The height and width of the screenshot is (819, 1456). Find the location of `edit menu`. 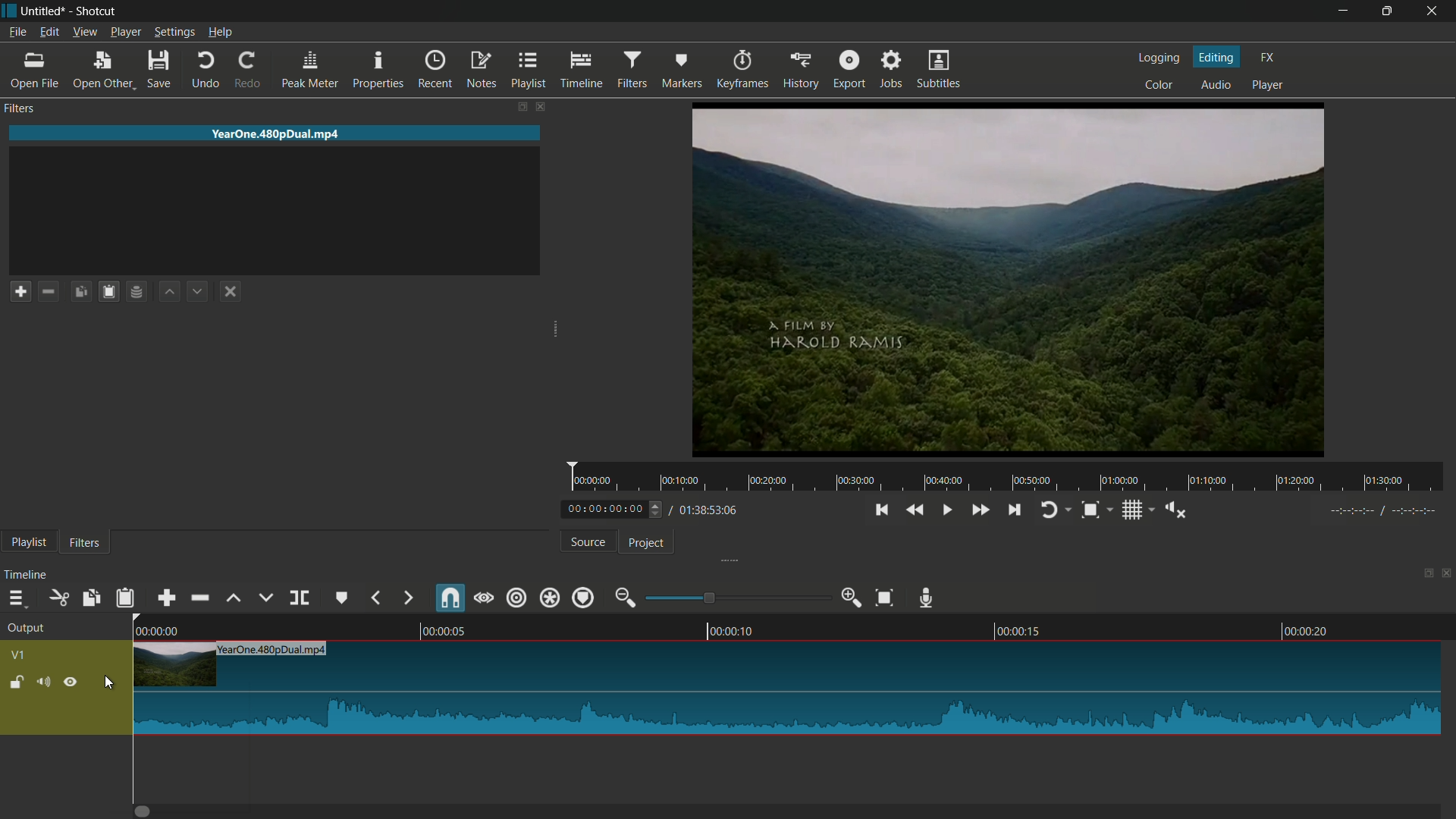

edit menu is located at coordinates (49, 32).